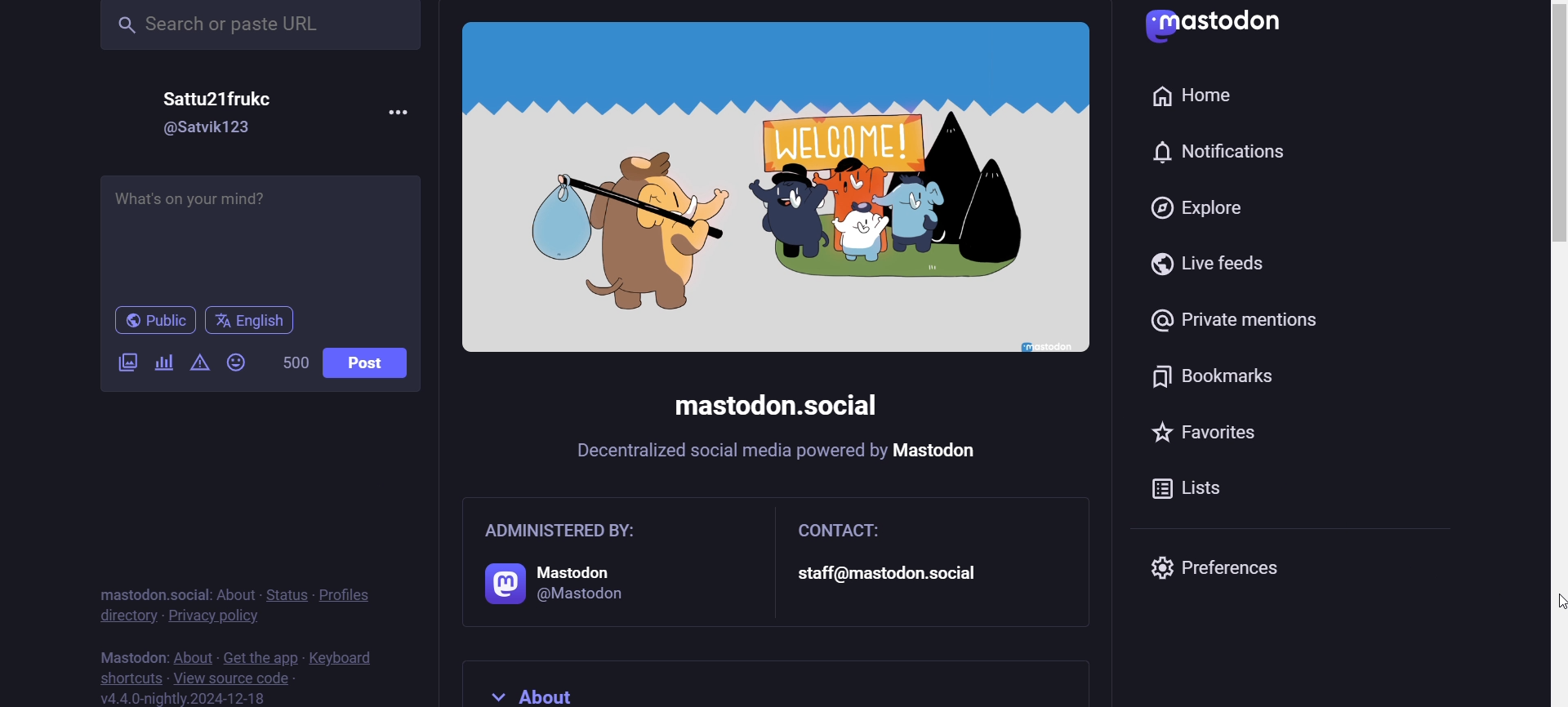  What do you see at coordinates (1225, 268) in the screenshot?
I see `live feed` at bounding box center [1225, 268].